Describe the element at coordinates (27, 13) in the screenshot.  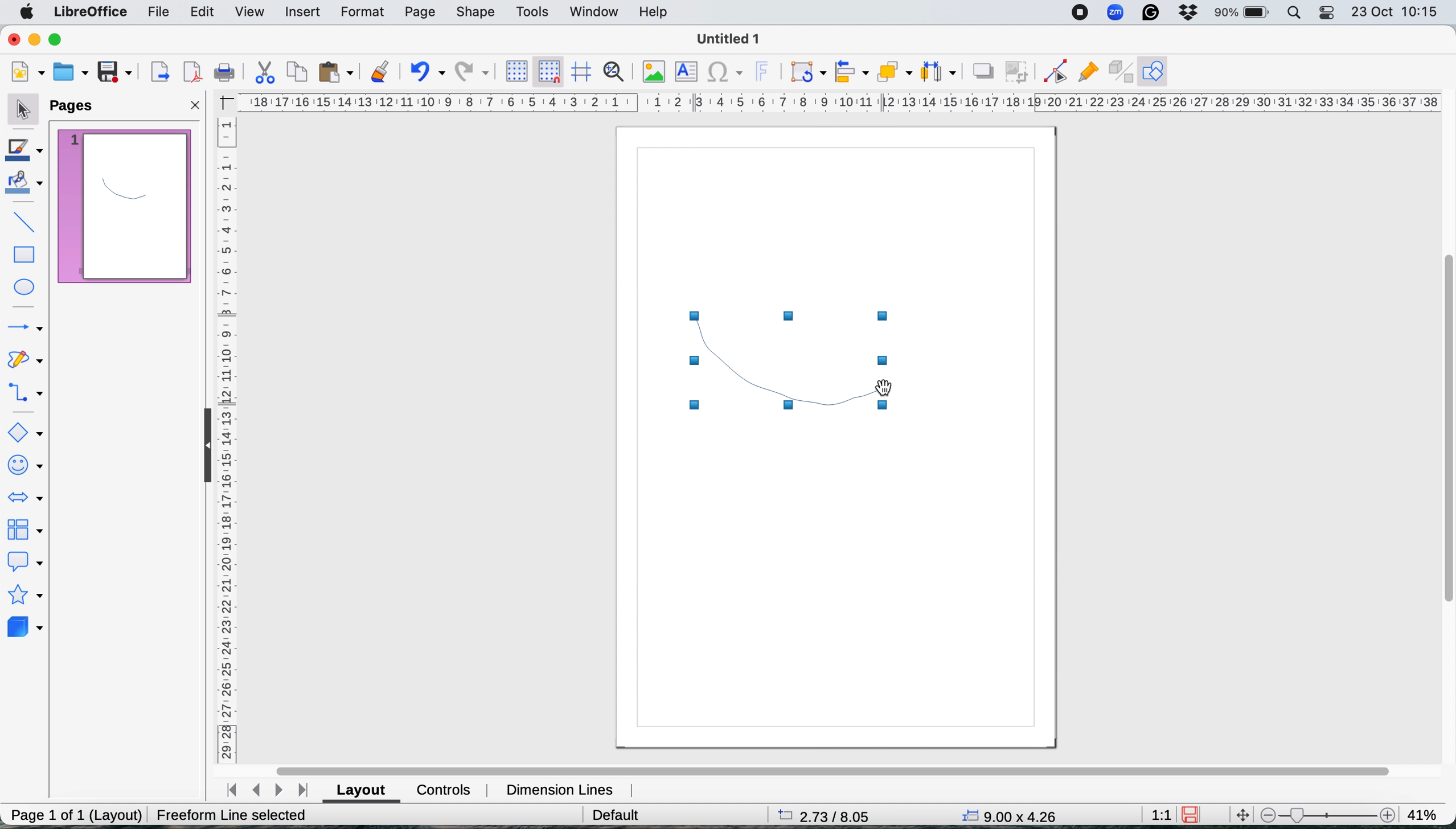
I see `system logo` at that location.